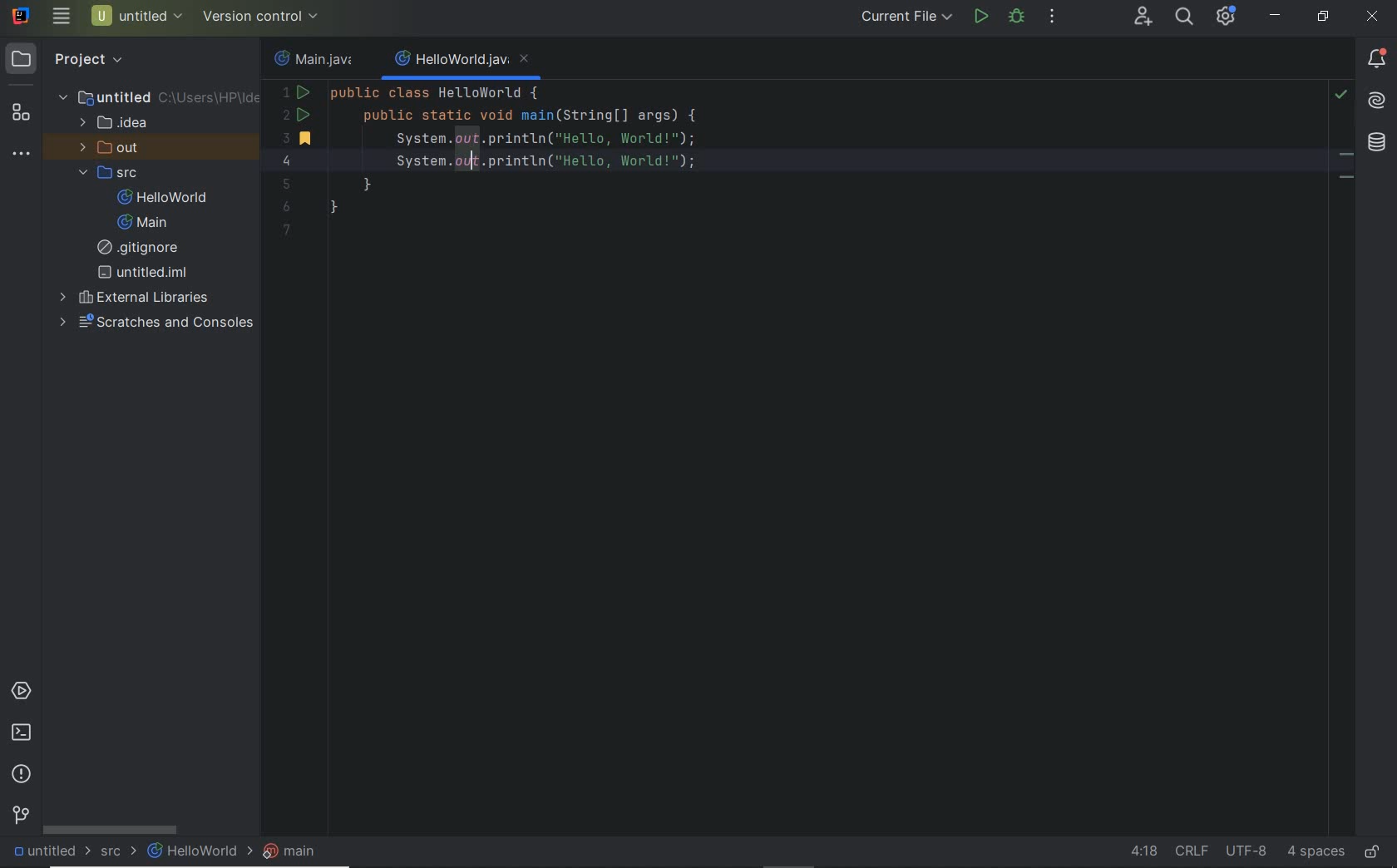 The image size is (1397, 868). I want to click on untitled, so click(159, 96).